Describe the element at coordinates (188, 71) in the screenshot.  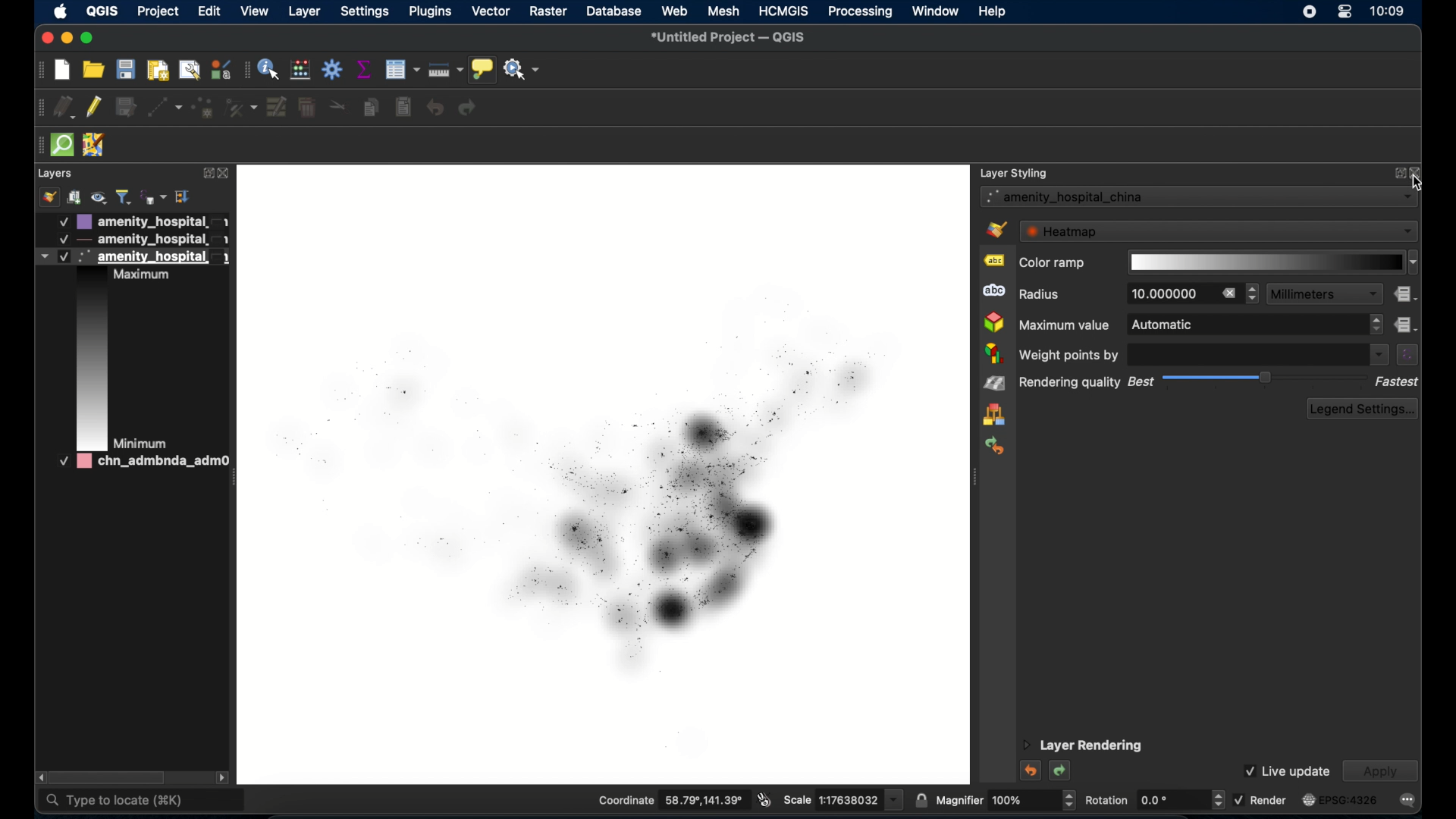
I see `open layout manager` at that location.